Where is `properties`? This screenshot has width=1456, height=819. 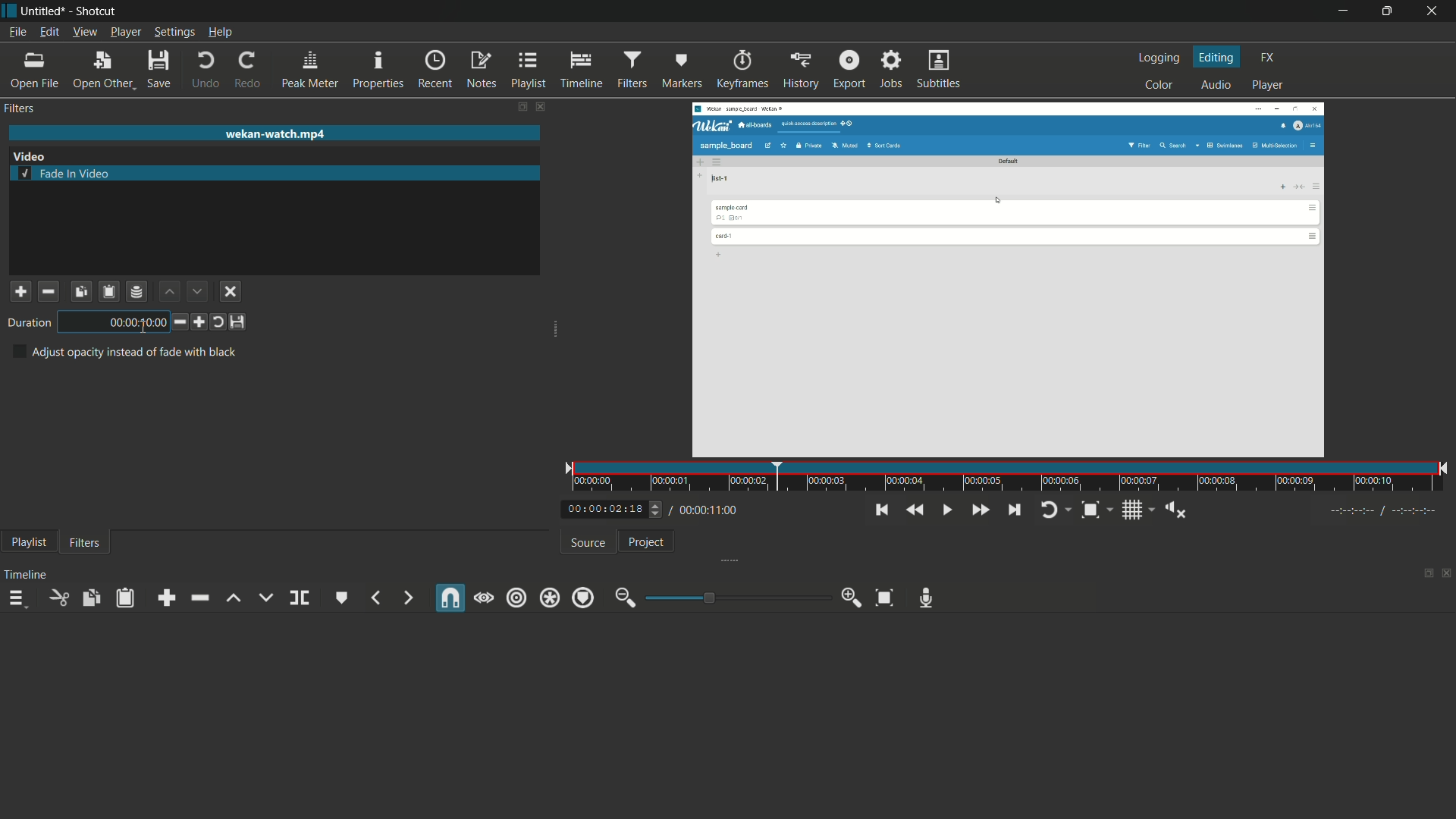
properties is located at coordinates (378, 70).